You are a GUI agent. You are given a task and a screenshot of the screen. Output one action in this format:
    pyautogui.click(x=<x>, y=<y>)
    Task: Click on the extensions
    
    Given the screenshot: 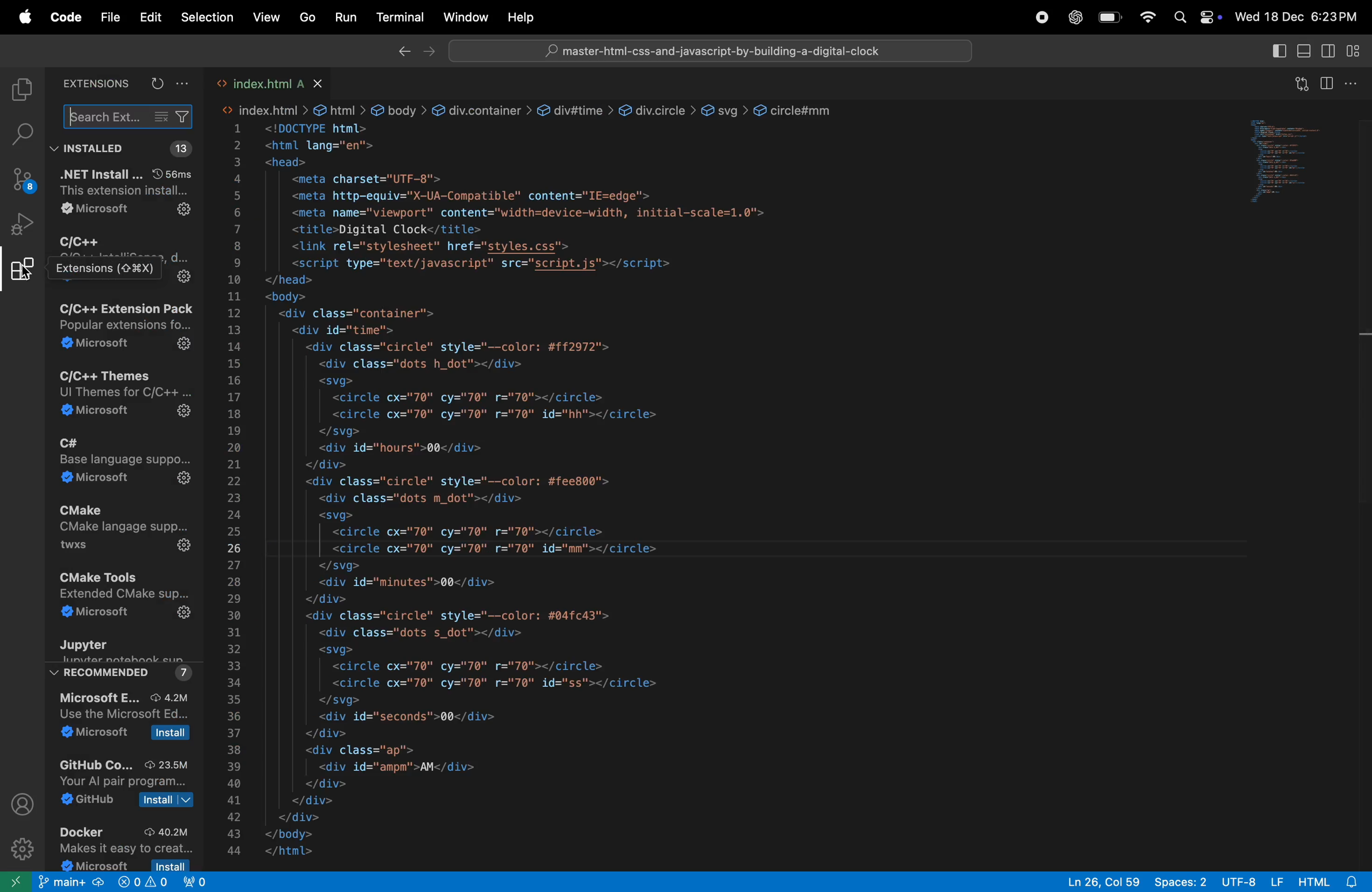 What is the action you would take?
    pyautogui.click(x=22, y=274)
    